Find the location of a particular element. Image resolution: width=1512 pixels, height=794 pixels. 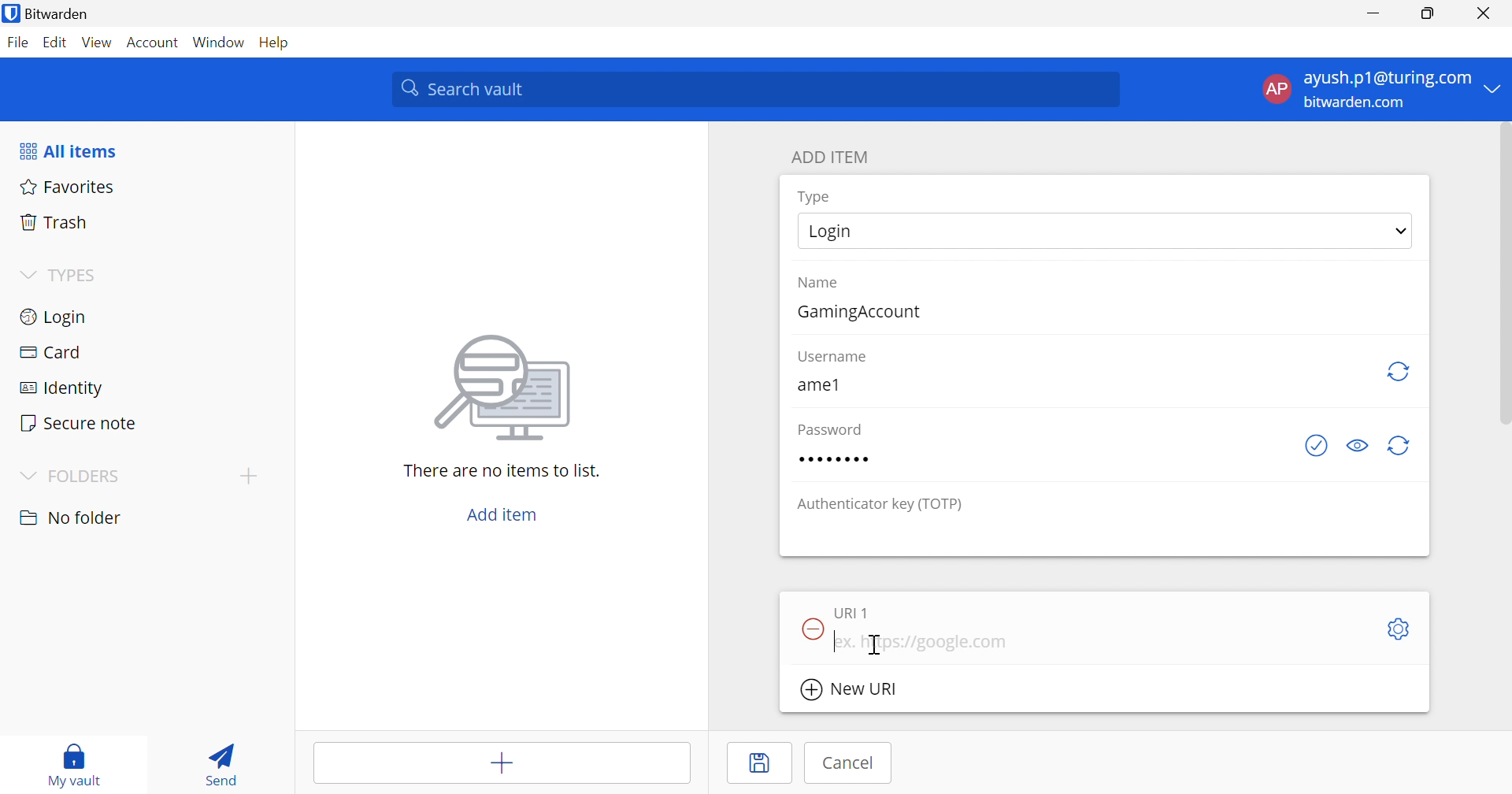

File is located at coordinates (18, 43).